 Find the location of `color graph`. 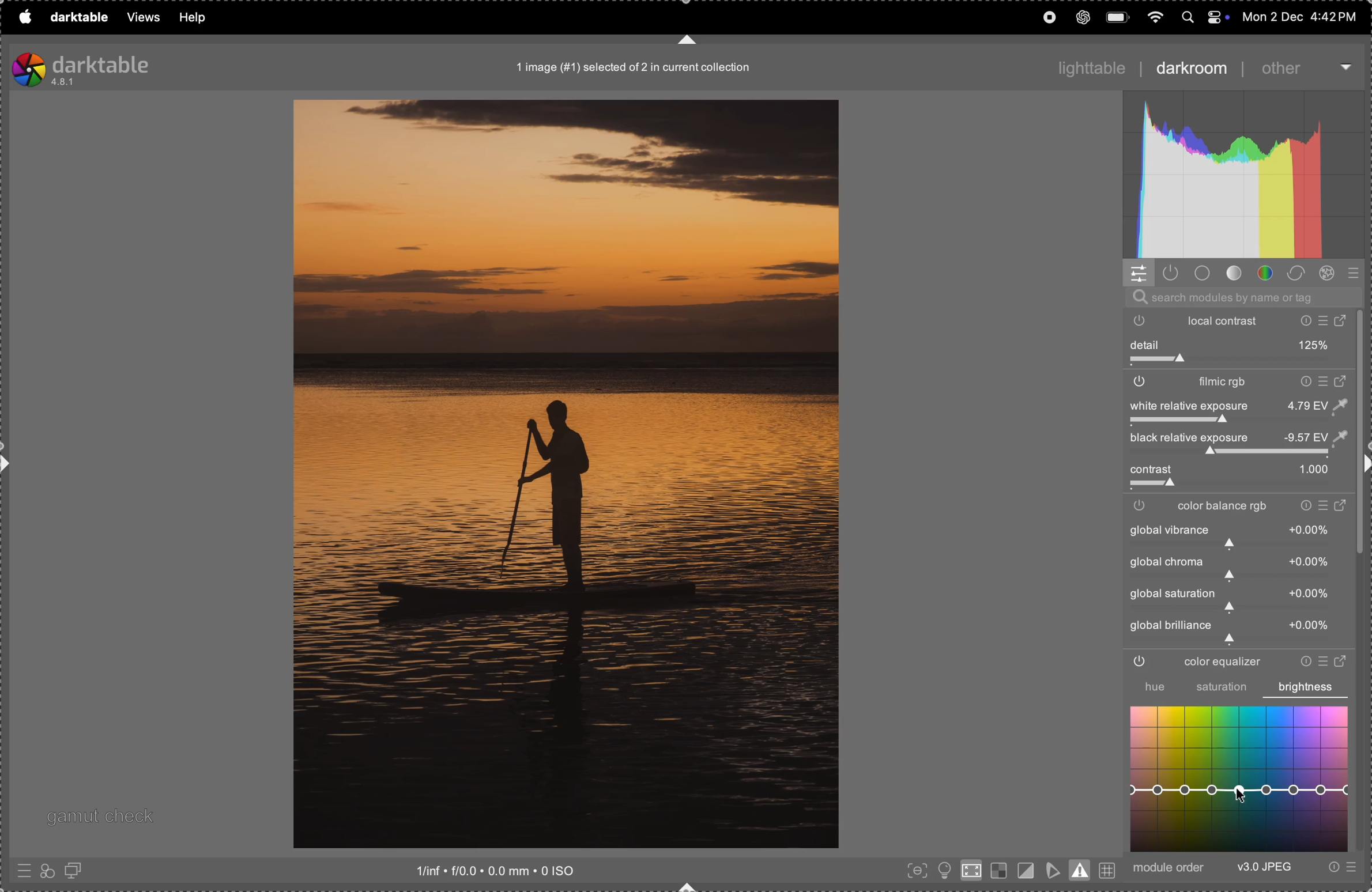

color graph is located at coordinates (1241, 780).